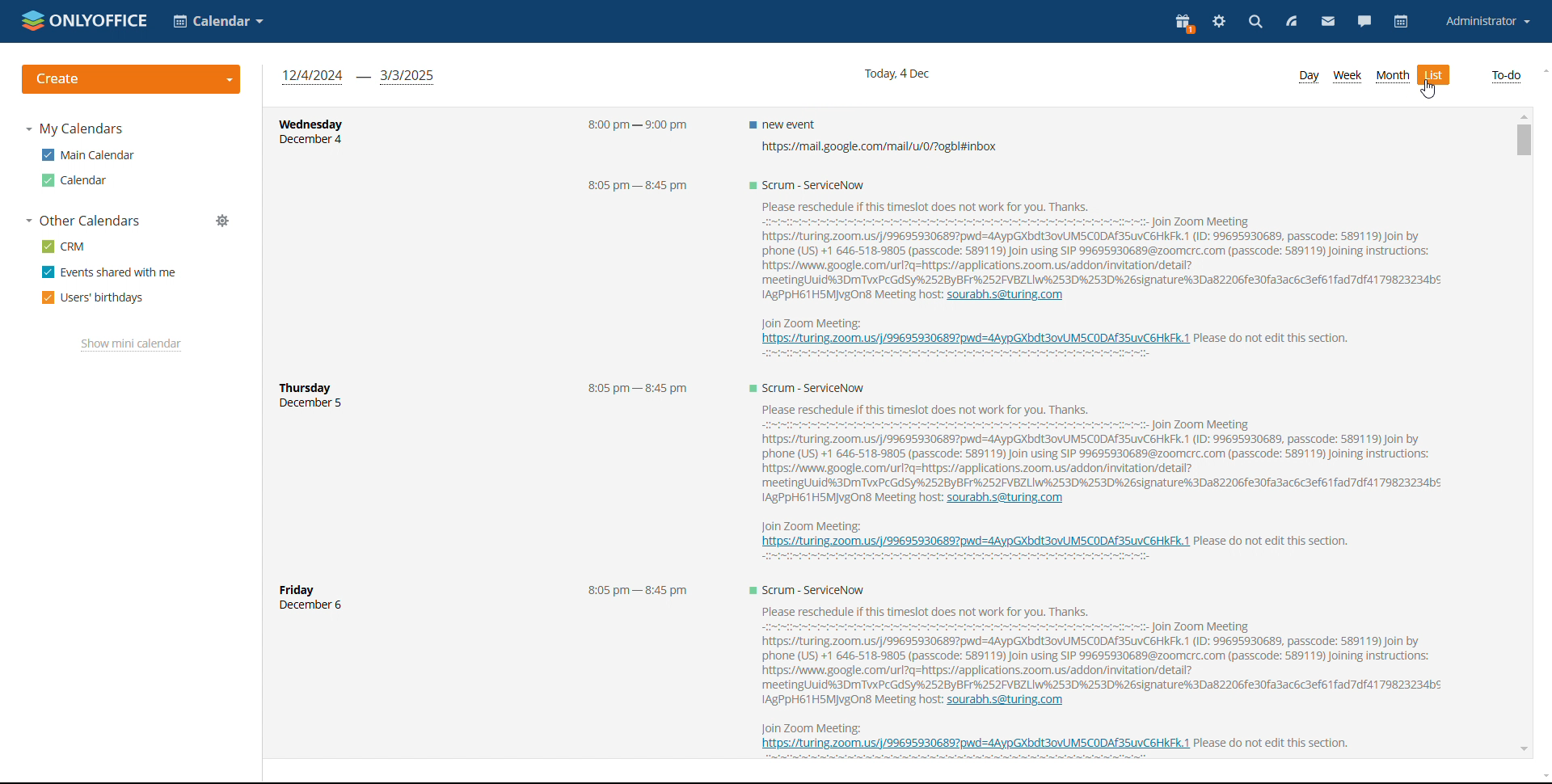 The width and height of the screenshot is (1552, 784). What do you see at coordinates (629, 128) in the screenshot?
I see `8:00 pm — 9:00 pm` at bounding box center [629, 128].